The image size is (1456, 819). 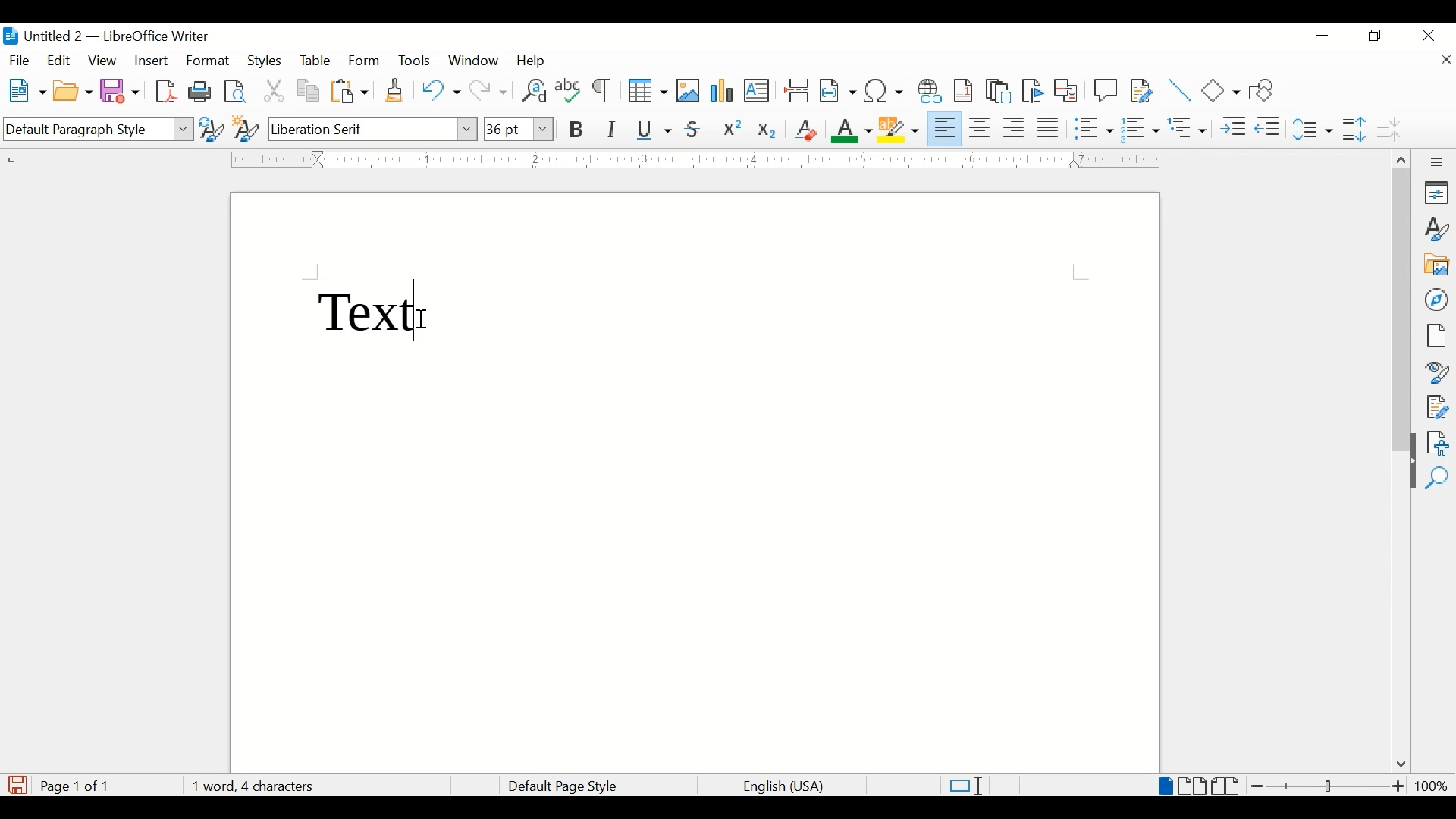 What do you see at coordinates (309, 91) in the screenshot?
I see `copy` at bounding box center [309, 91].